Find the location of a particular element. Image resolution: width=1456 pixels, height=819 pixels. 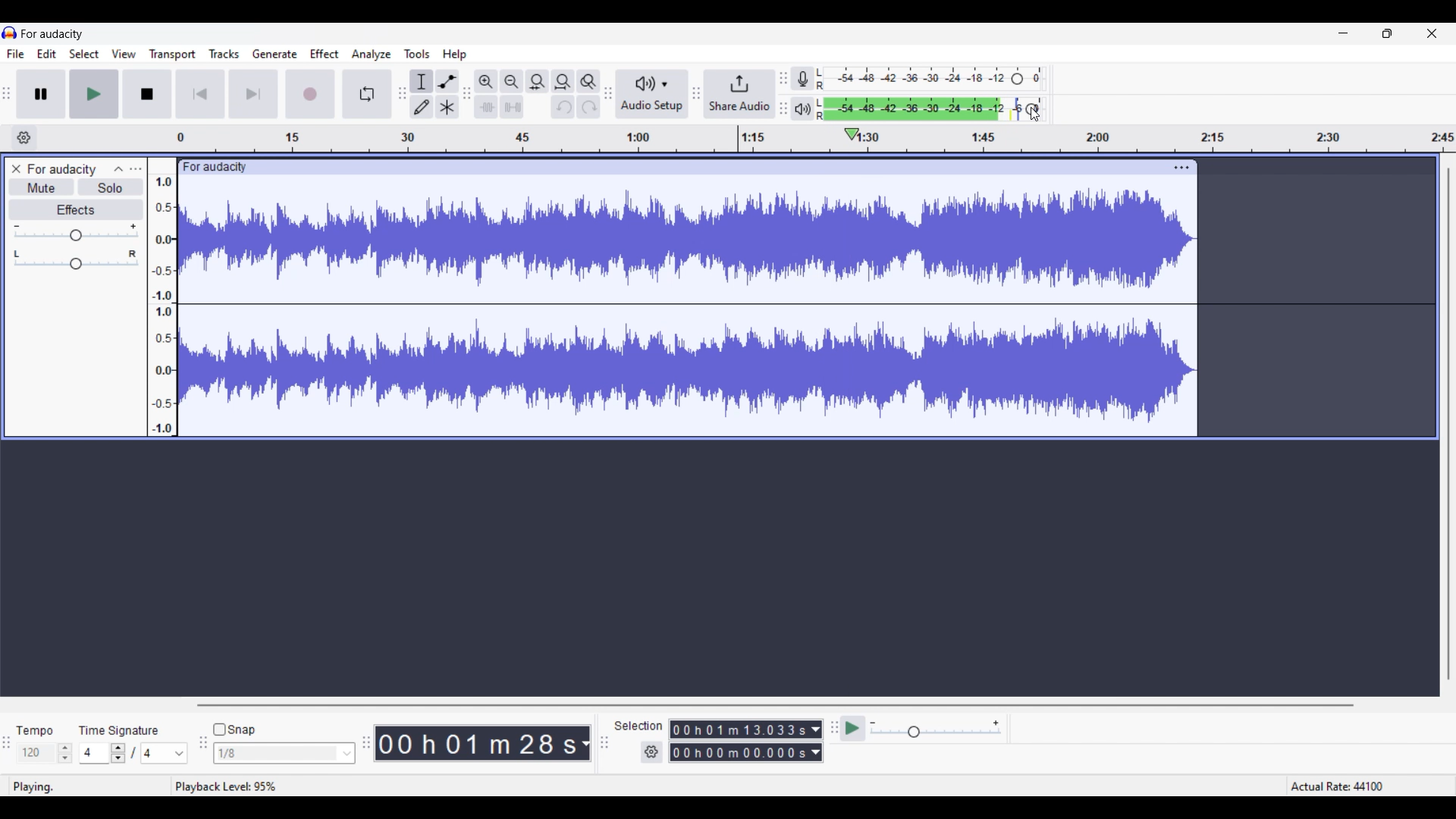

Track name is located at coordinates (62, 170).